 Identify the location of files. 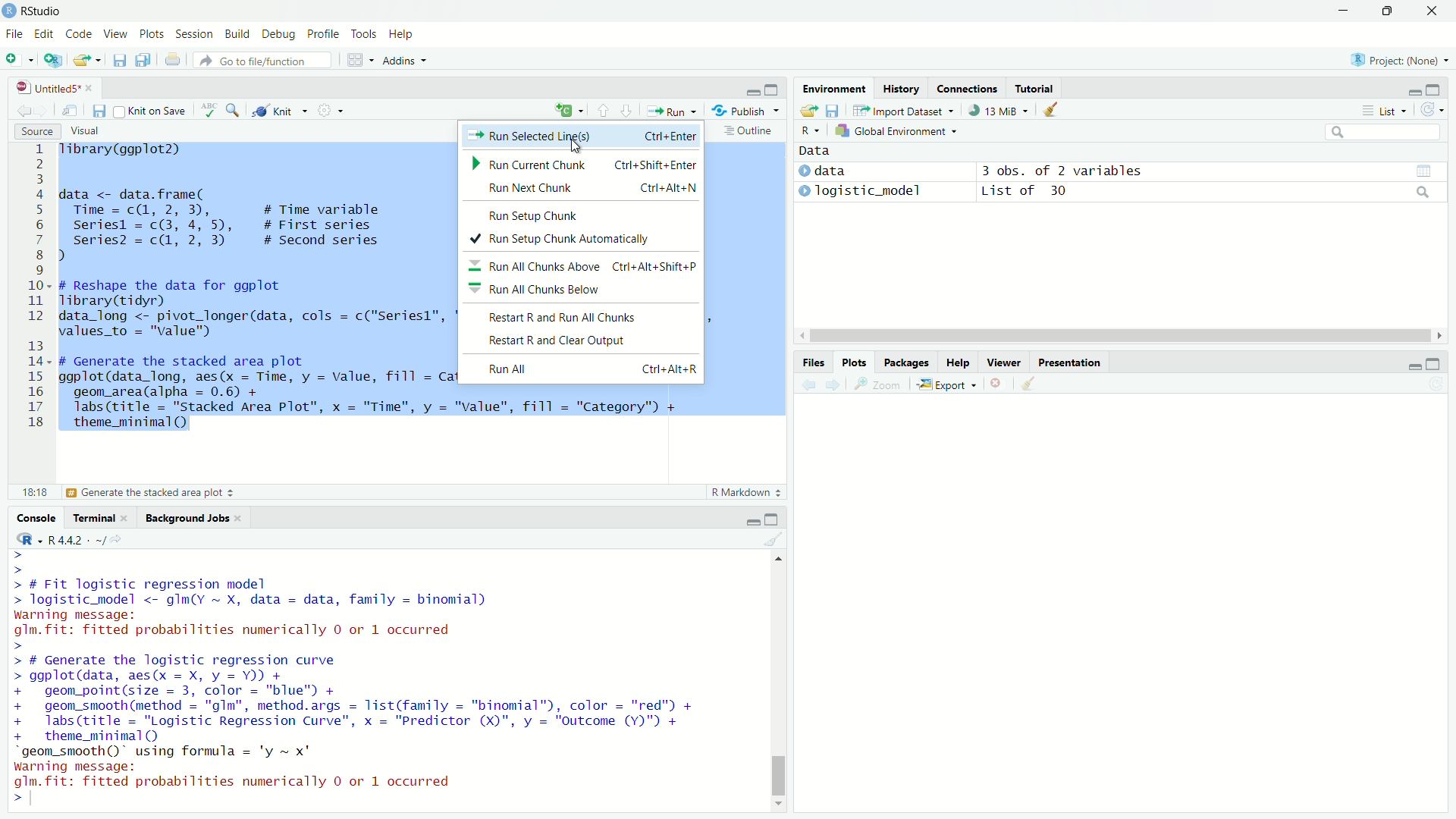
(834, 111).